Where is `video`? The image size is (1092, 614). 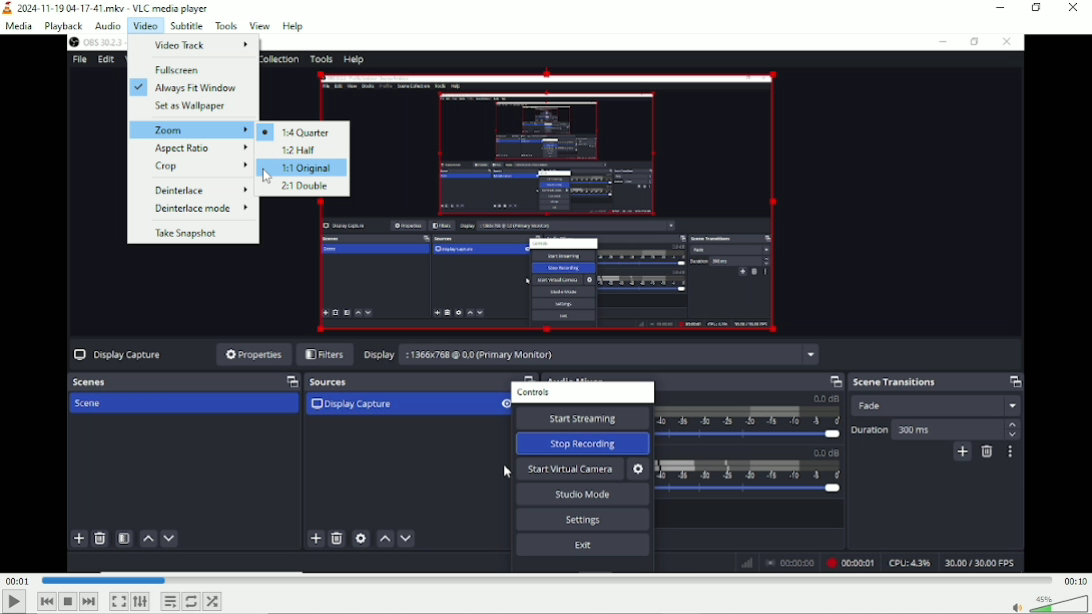 video is located at coordinates (143, 25).